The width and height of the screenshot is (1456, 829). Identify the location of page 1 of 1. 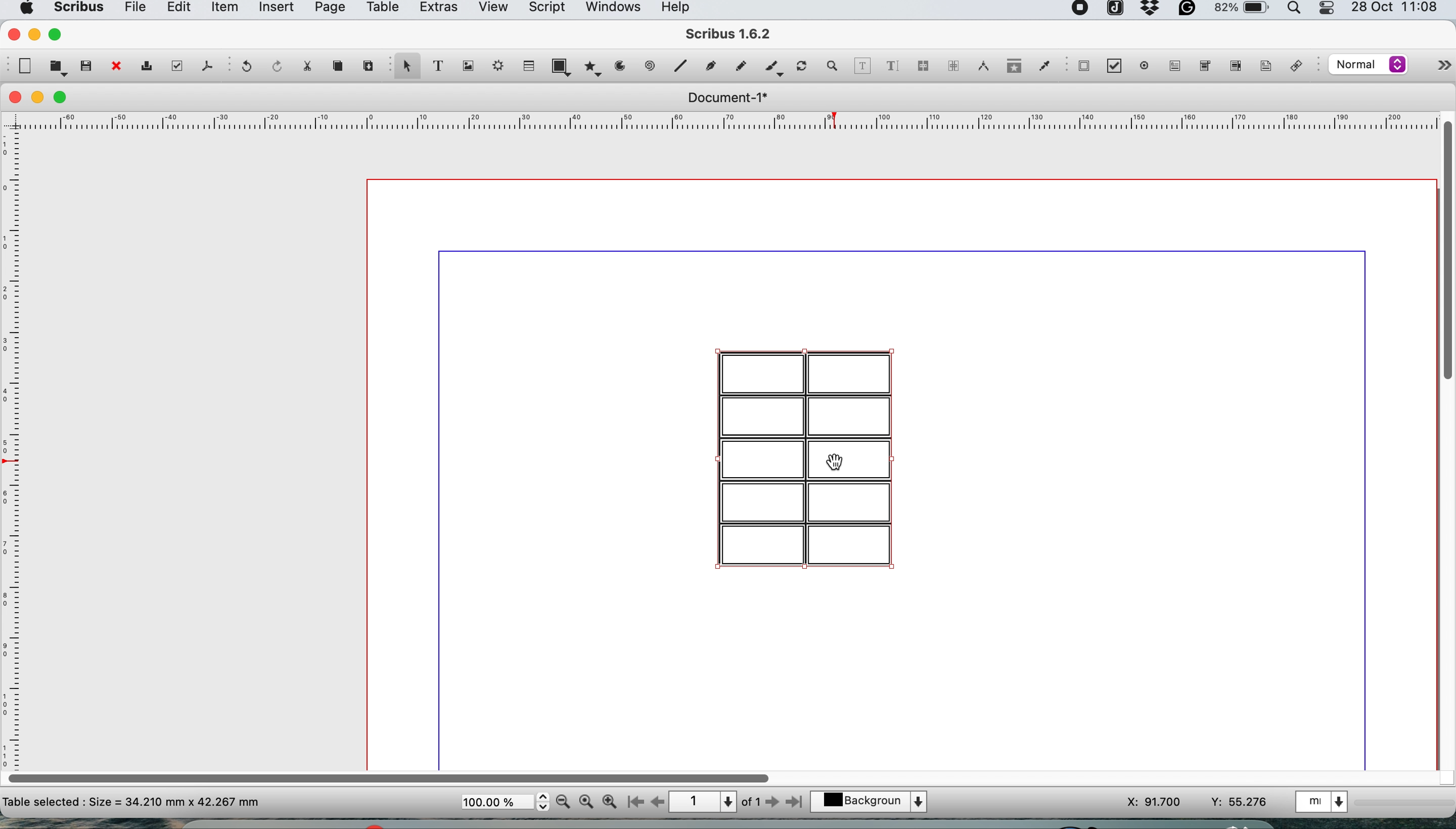
(714, 802).